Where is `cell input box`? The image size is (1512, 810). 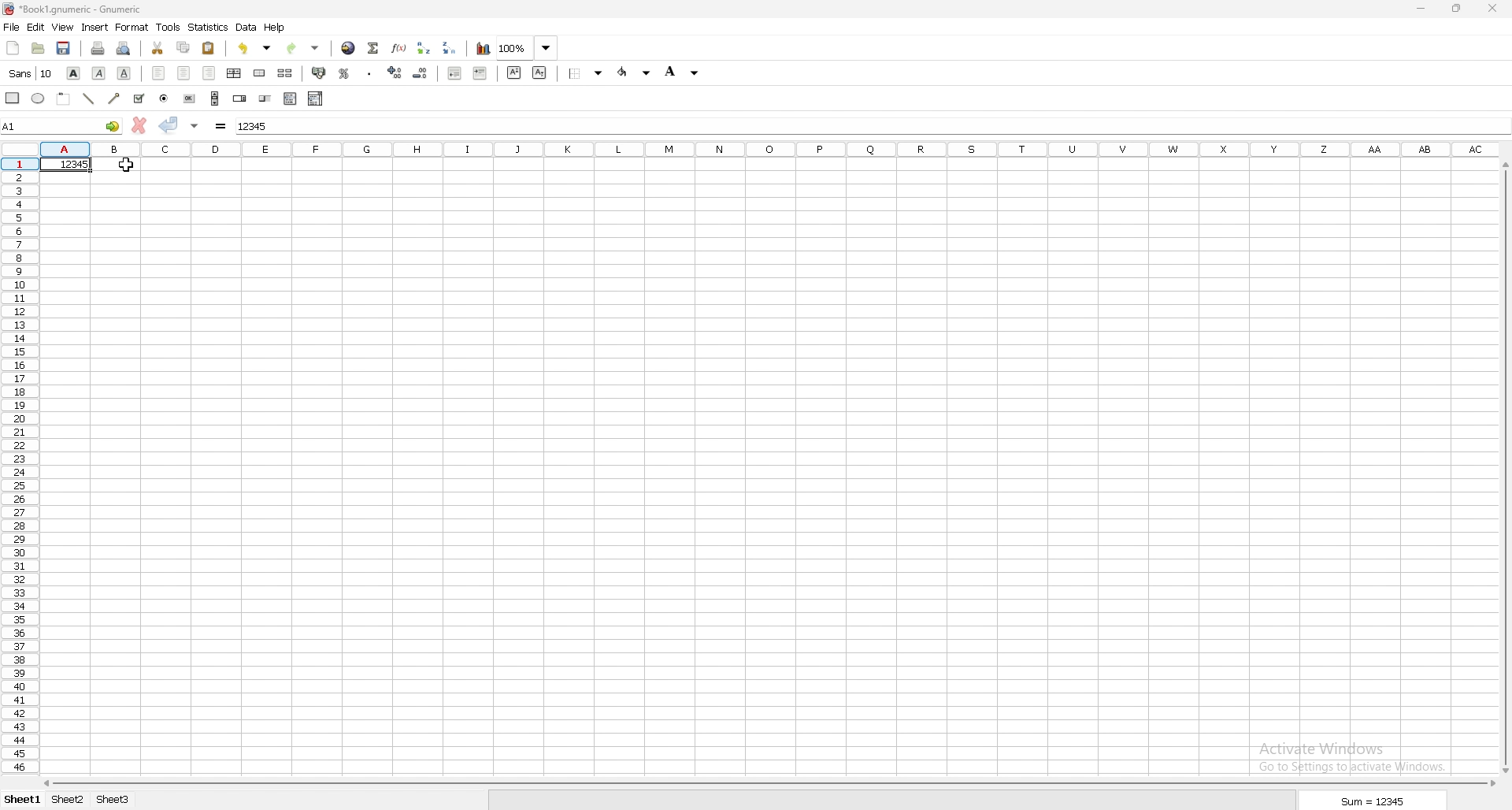
cell input box is located at coordinates (868, 126).